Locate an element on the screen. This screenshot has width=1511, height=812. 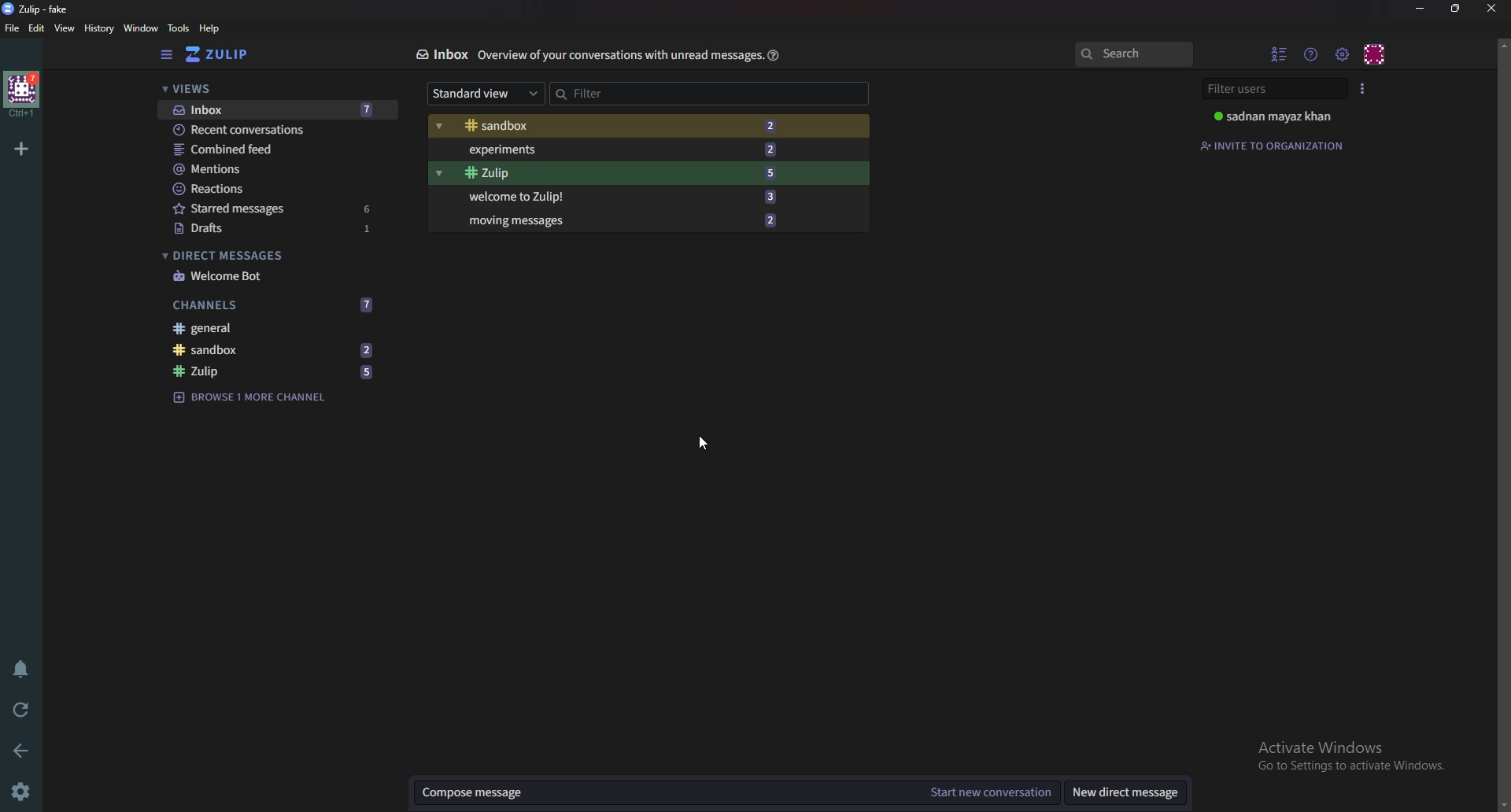
Welcome to Zulip 3 is located at coordinates (616, 197).